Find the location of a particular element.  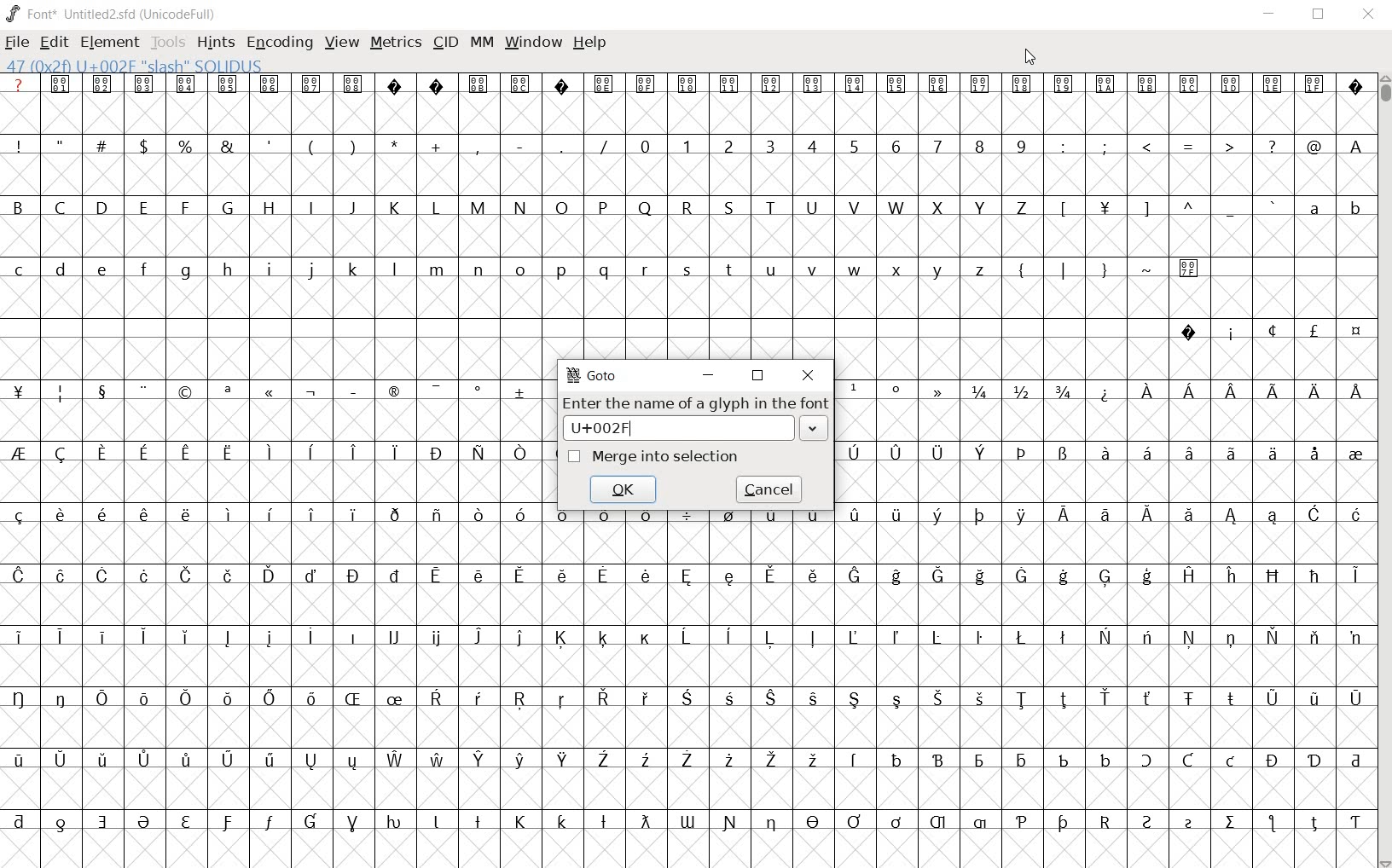

numbers 0 -9  is located at coordinates (837, 144).